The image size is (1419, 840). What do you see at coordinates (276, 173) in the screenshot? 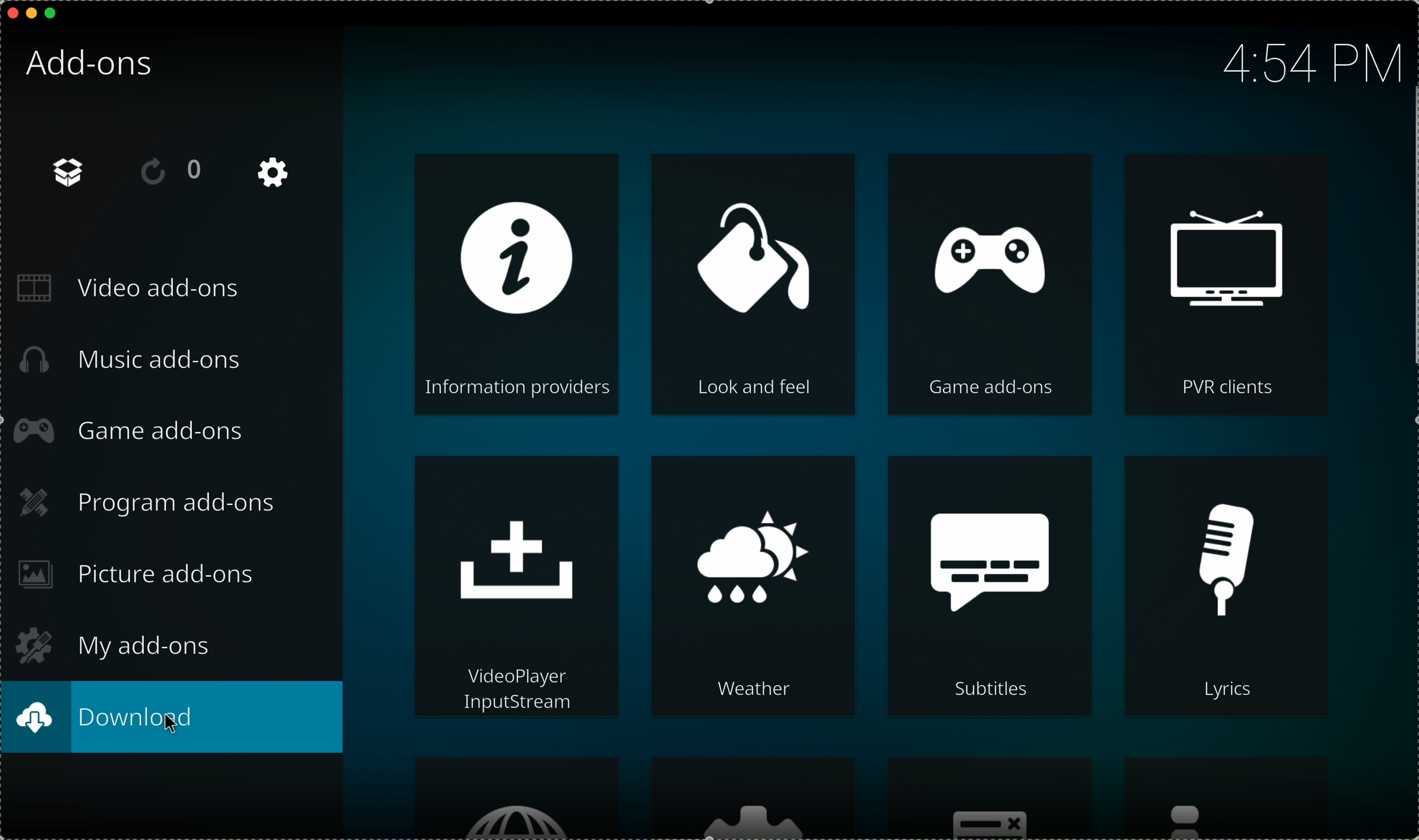
I see `settings` at bounding box center [276, 173].